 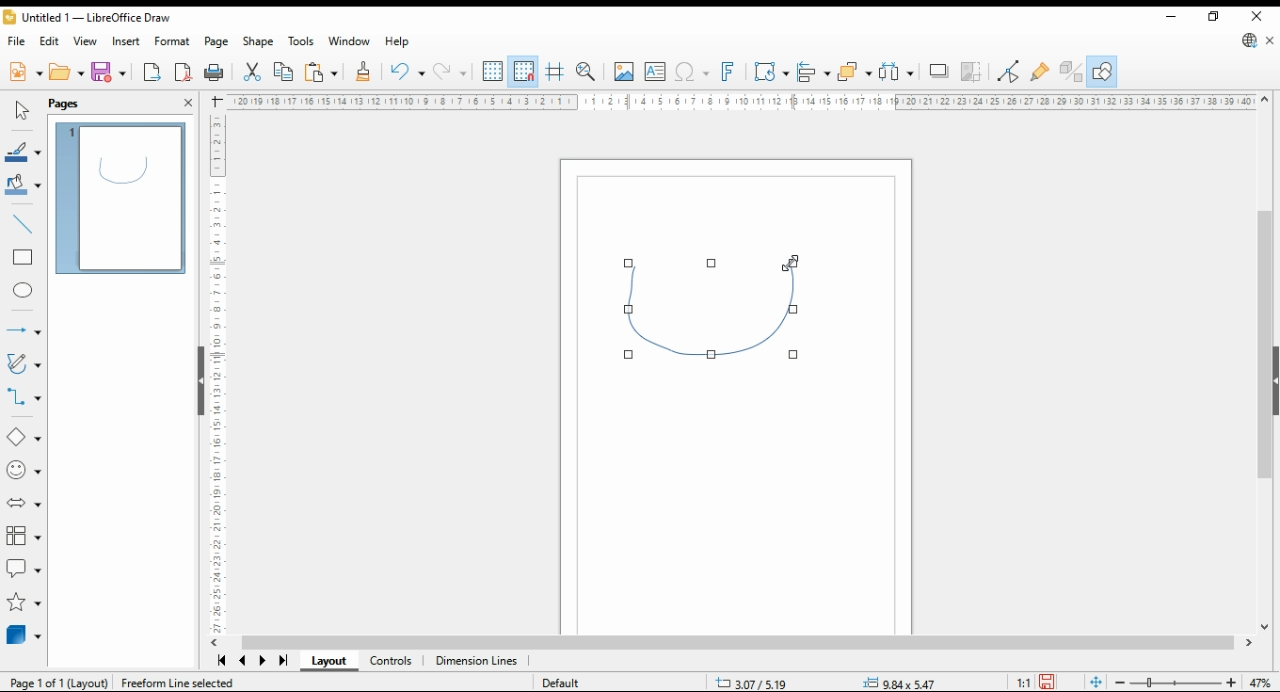 What do you see at coordinates (349, 41) in the screenshot?
I see `window` at bounding box center [349, 41].